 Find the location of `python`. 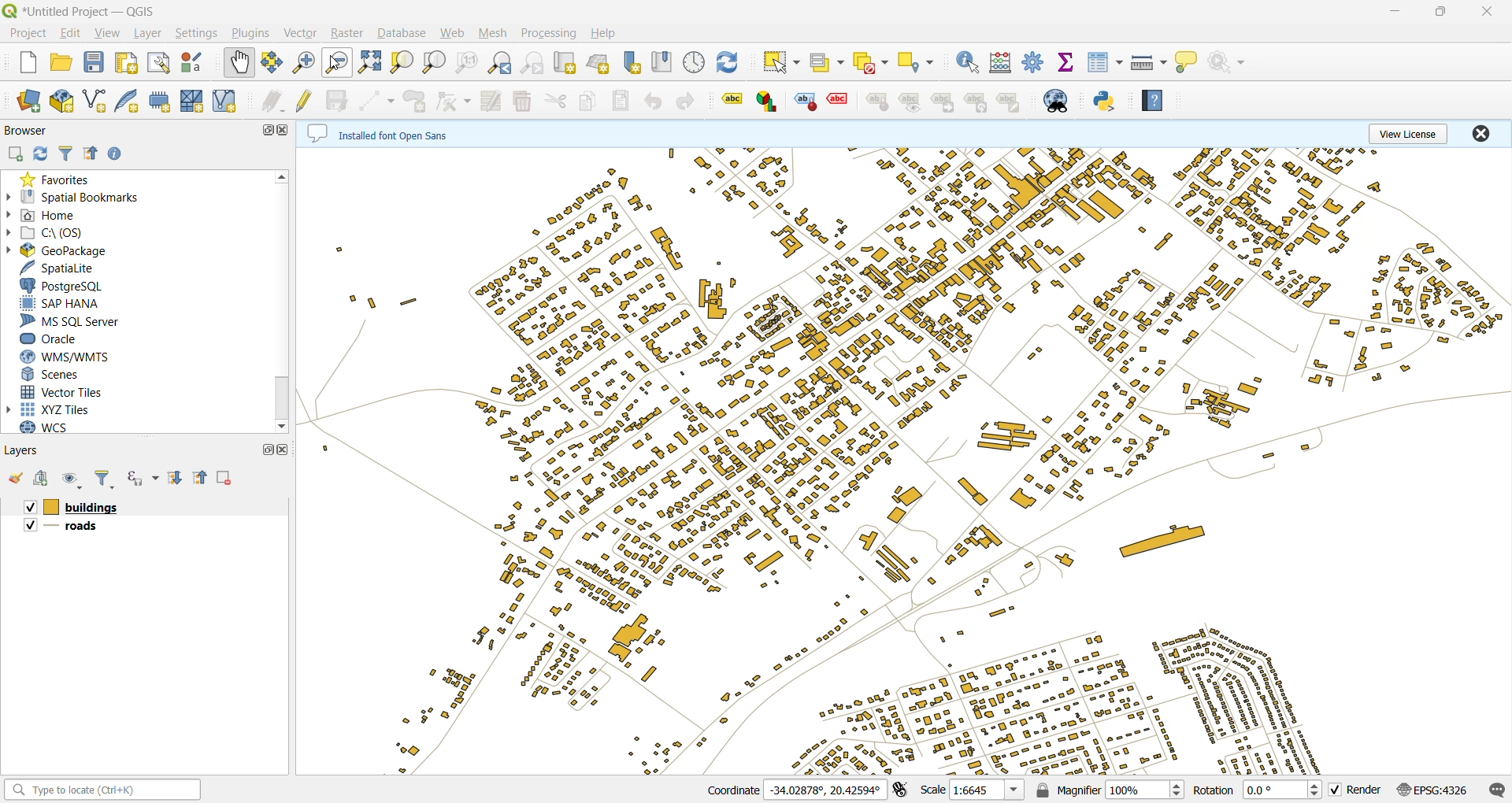

python is located at coordinates (1106, 102).